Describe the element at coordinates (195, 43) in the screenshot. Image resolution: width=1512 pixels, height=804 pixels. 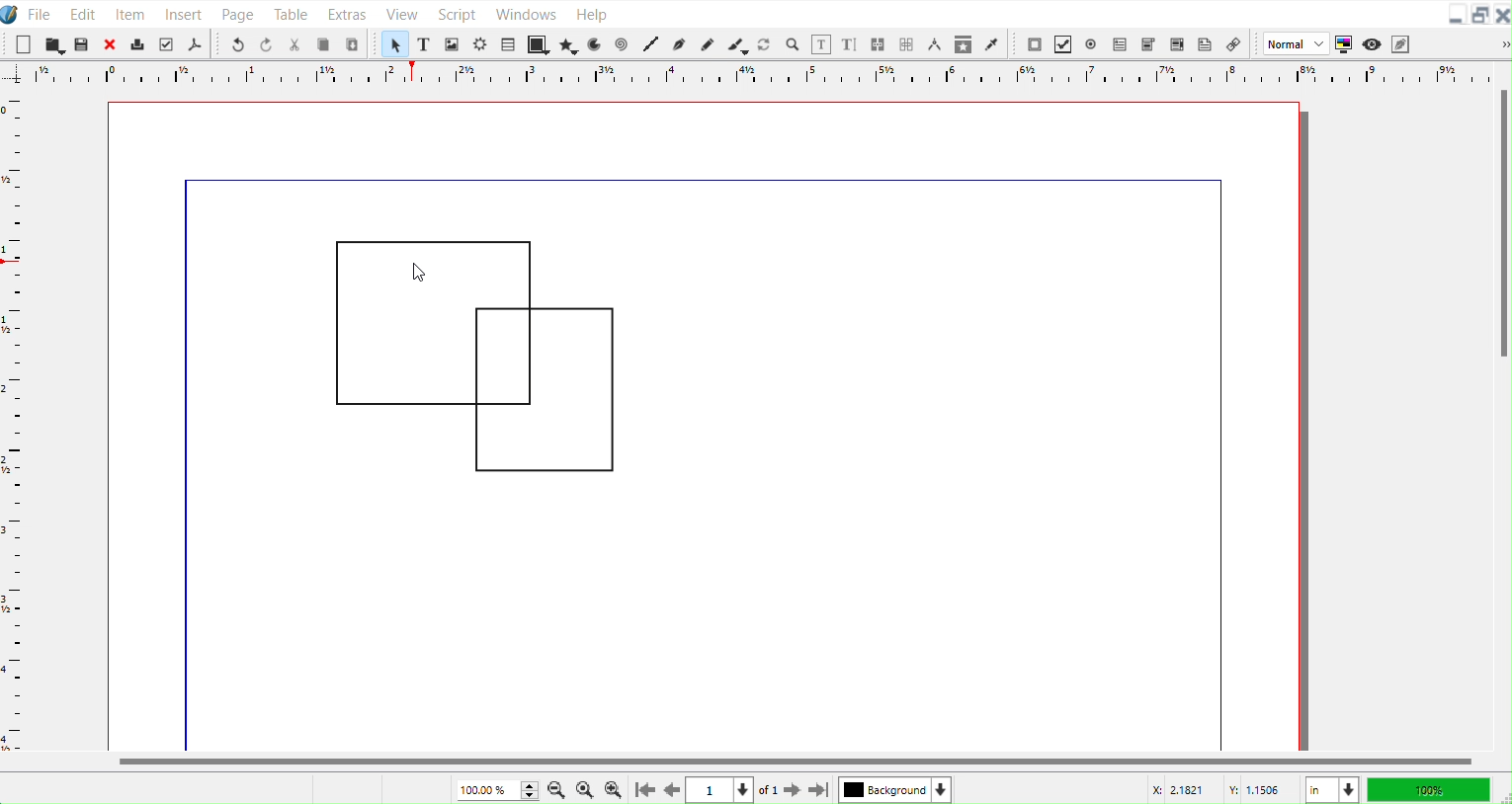
I see `Save as PDF` at that location.